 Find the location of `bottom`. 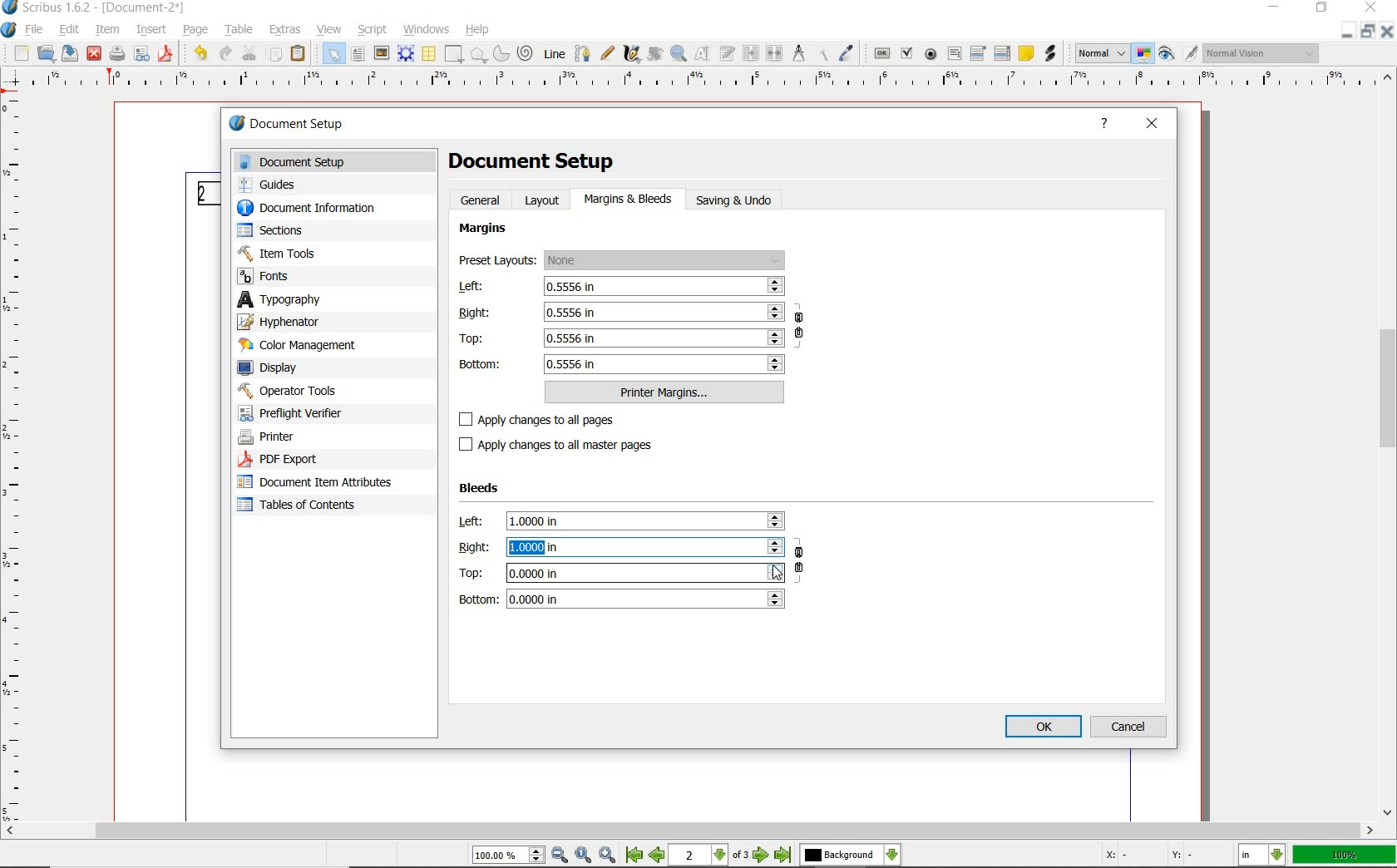

bottom is located at coordinates (623, 364).